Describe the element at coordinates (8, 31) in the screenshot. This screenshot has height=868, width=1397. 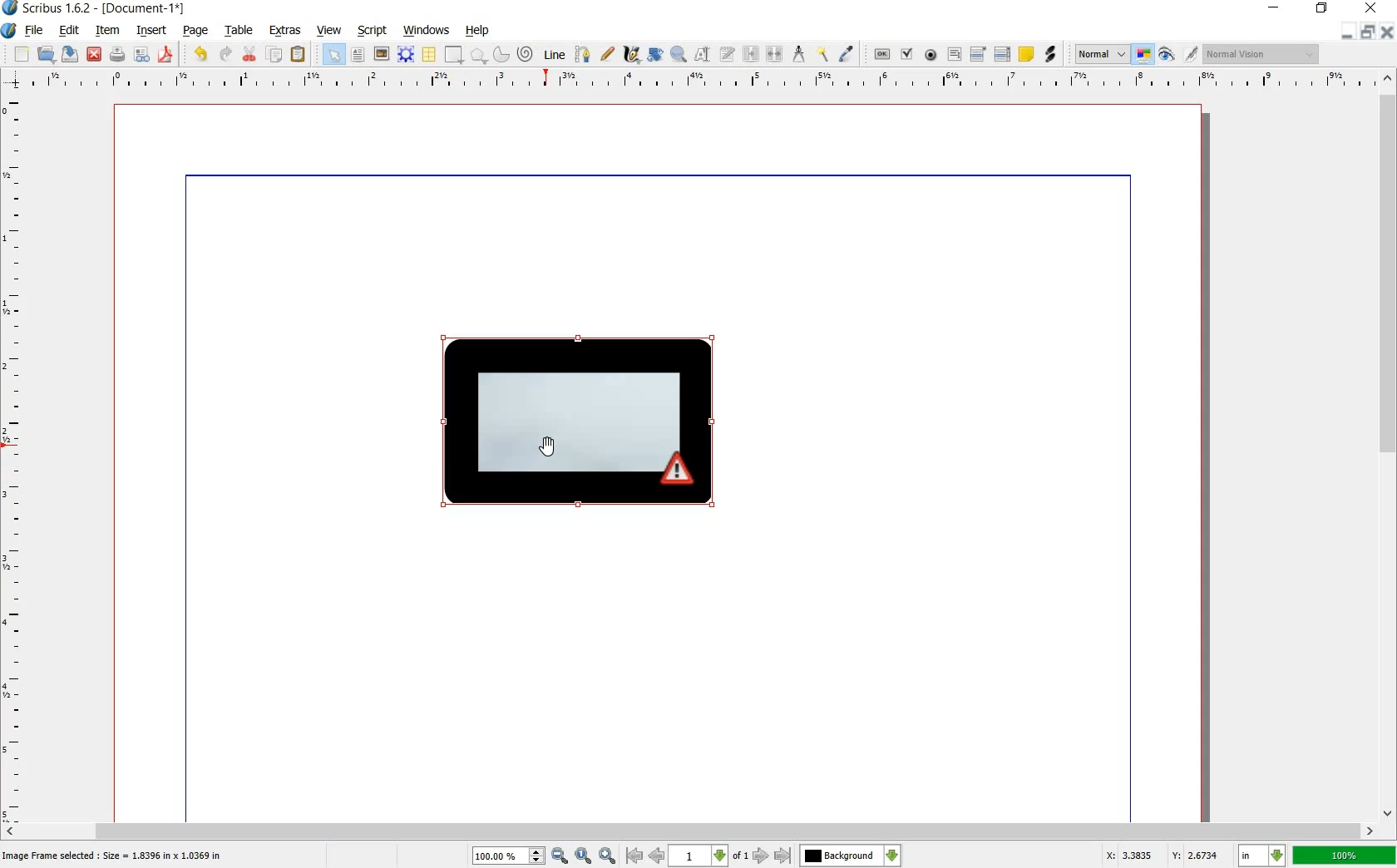
I see `application logo` at that location.